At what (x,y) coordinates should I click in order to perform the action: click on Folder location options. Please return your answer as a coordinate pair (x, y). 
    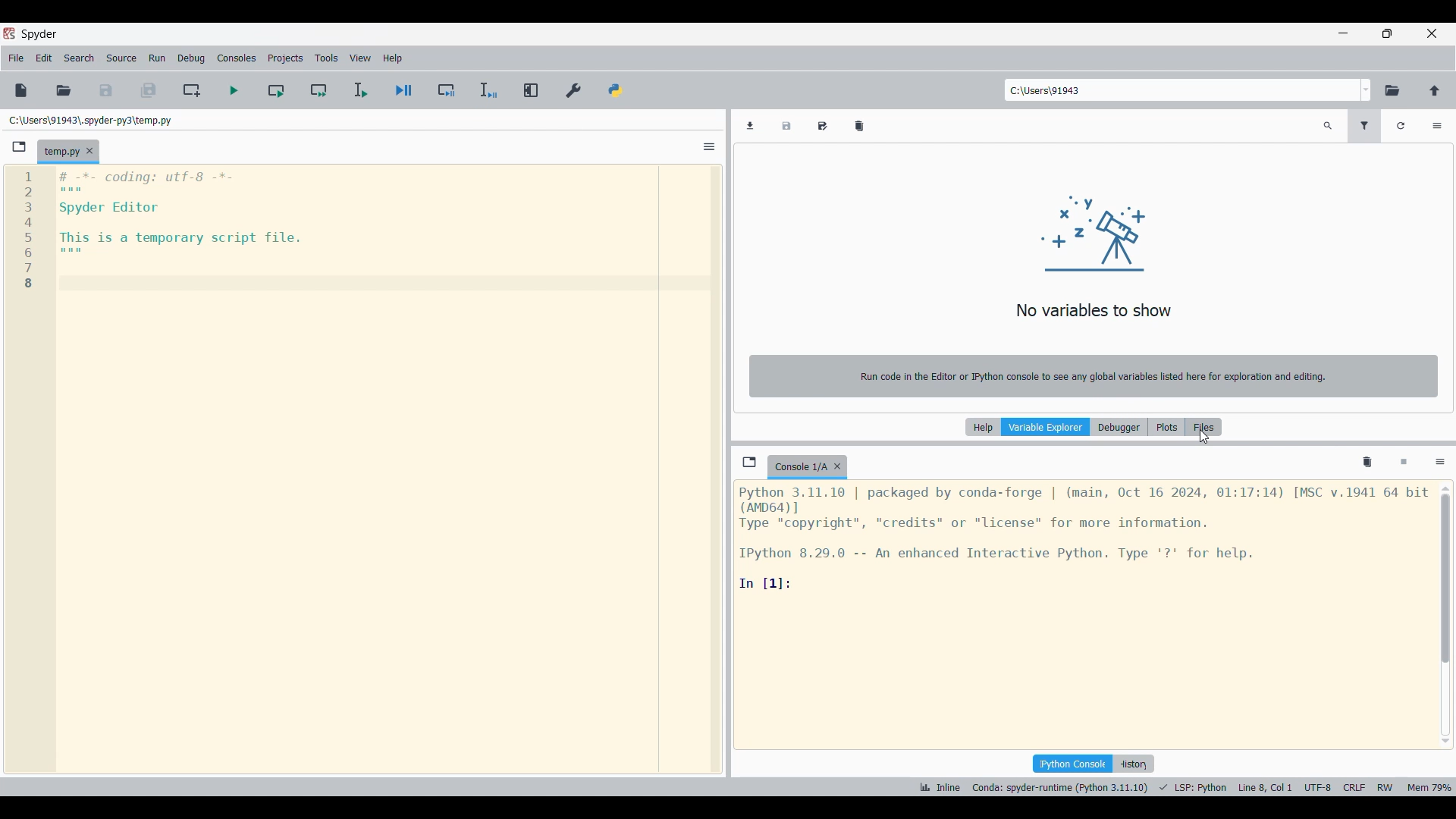
    Looking at the image, I should click on (1366, 90).